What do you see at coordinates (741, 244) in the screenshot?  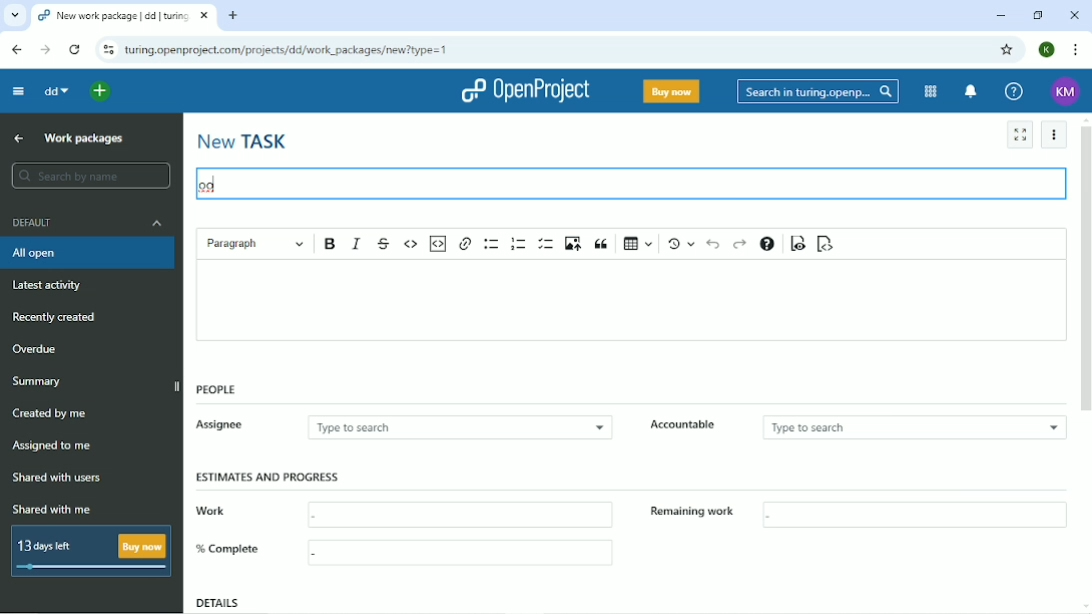 I see `Redo` at bounding box center [741, 244].